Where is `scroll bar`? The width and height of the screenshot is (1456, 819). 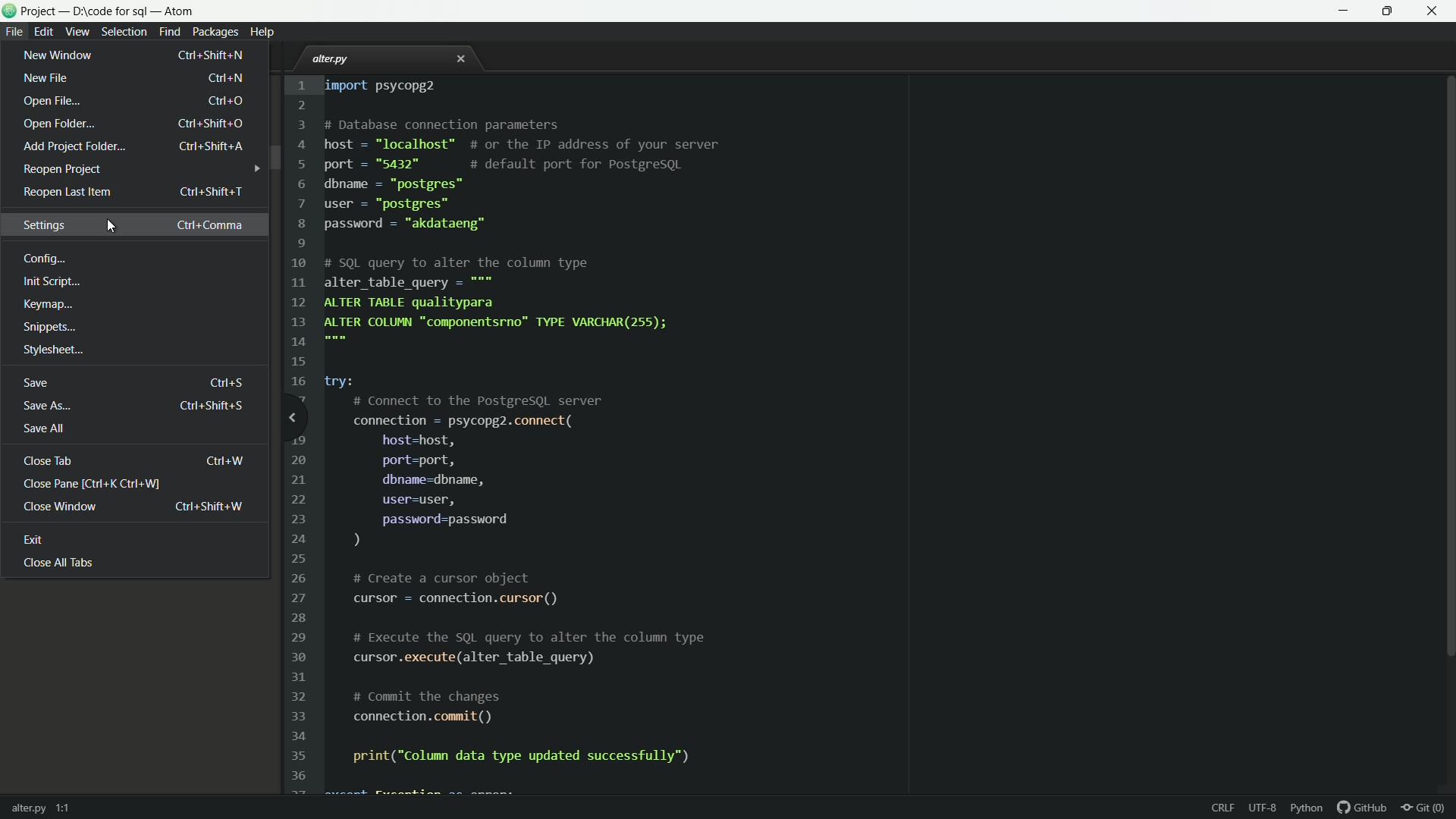
scroll bar is located at coordinates (1447, 370).